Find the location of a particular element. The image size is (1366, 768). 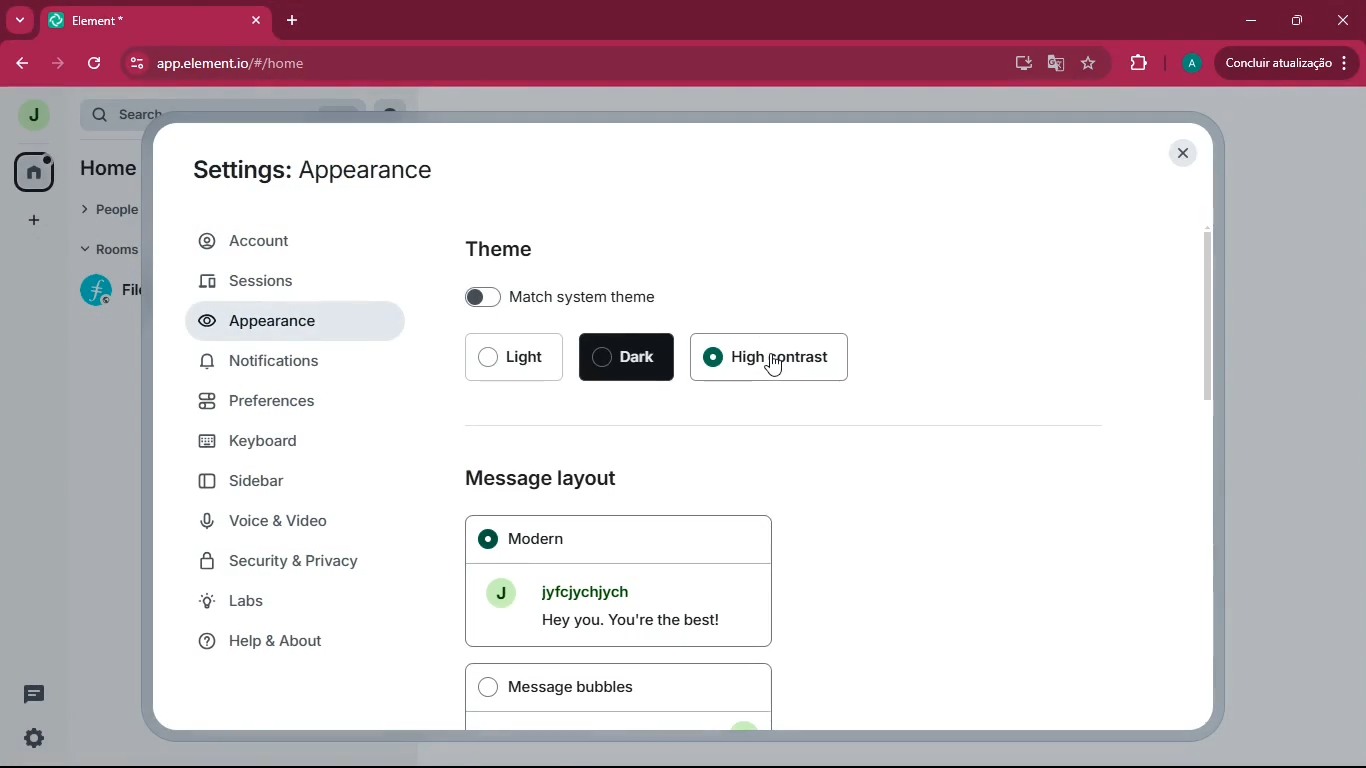

maximize is located at coordinates (1293, 20).